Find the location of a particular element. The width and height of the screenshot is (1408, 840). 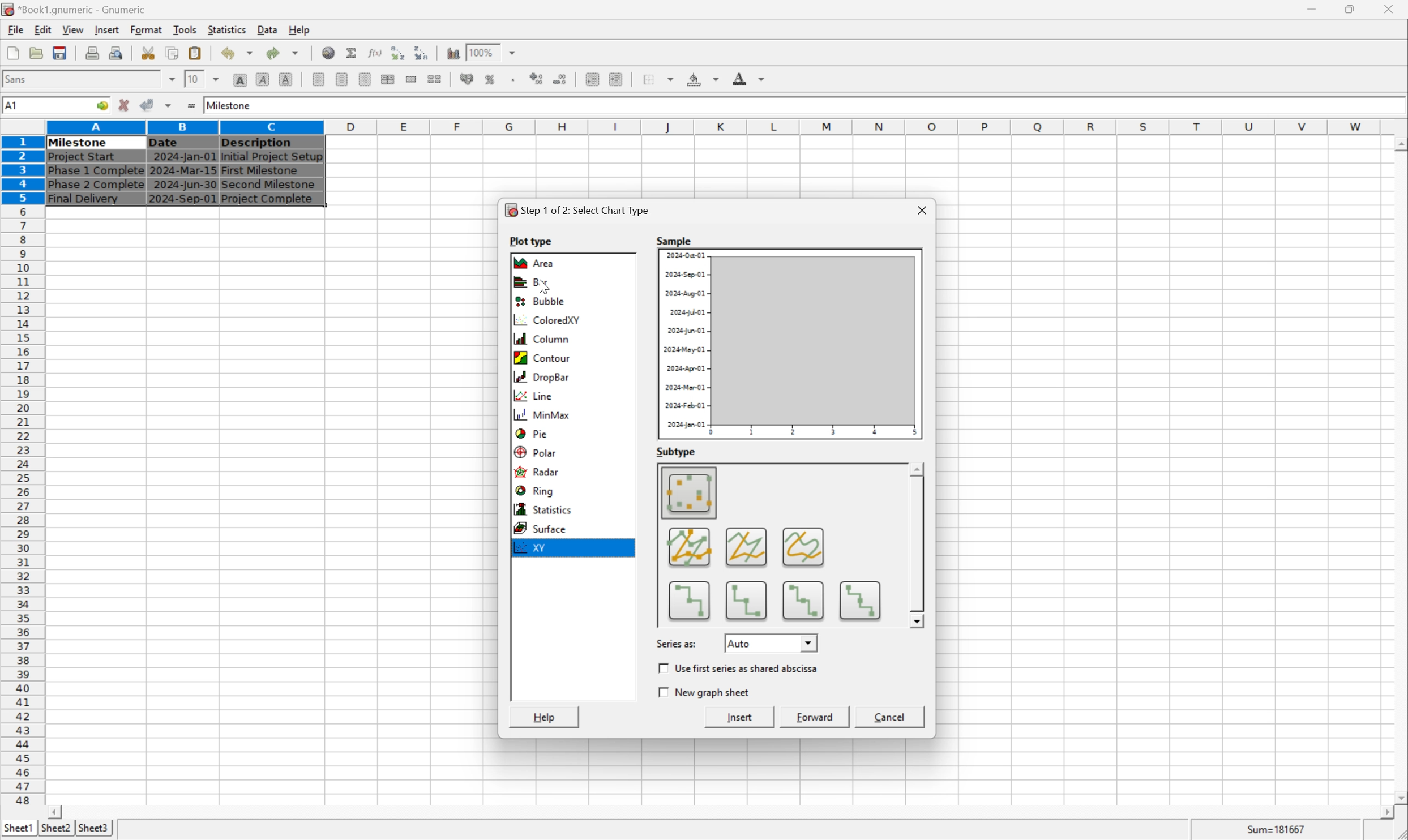

statistics is located at coordinates (228, 29).